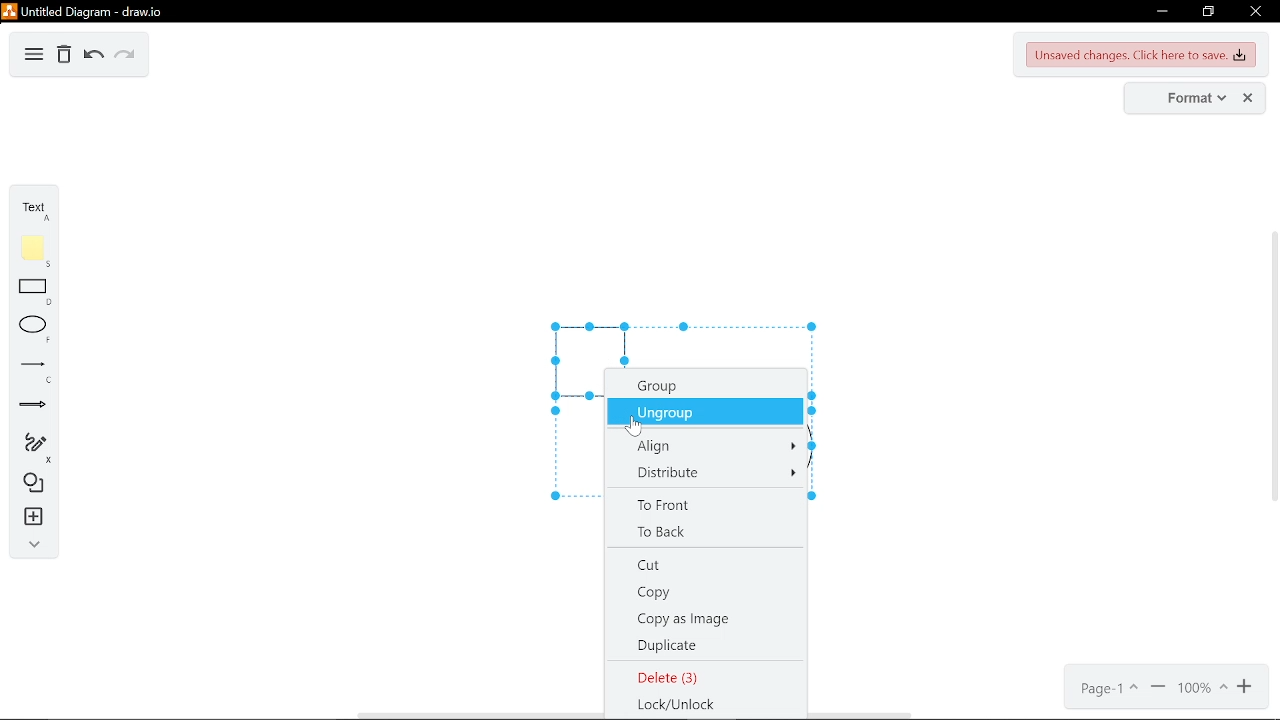 This screenshot has height=720, width=1280. Describe the element at coordinates (1246, 689) in the screenshot. I see `zoom in` at that location.